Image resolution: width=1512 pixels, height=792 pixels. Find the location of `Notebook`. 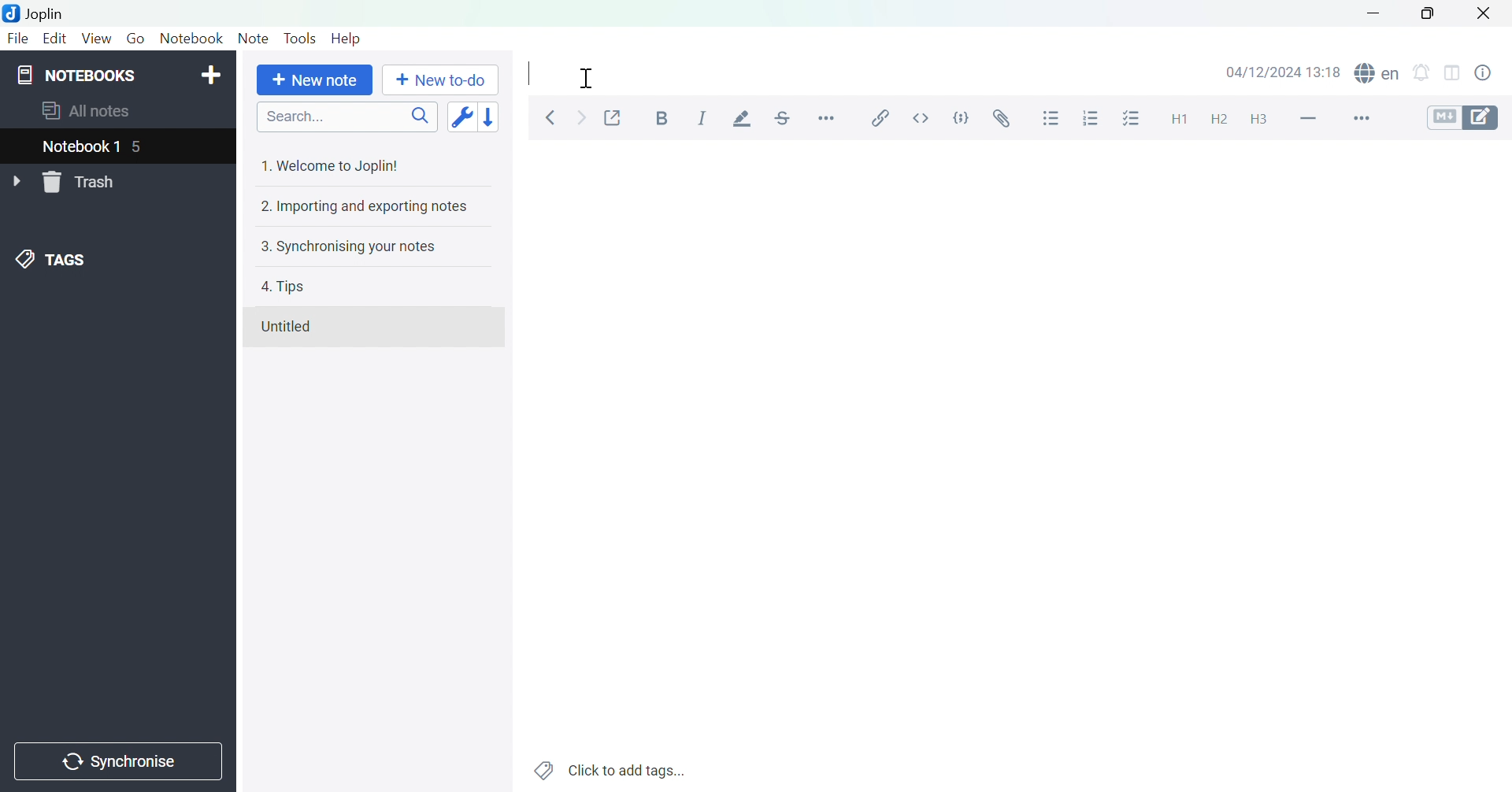

Notebook is located at coordinates (193, 41).